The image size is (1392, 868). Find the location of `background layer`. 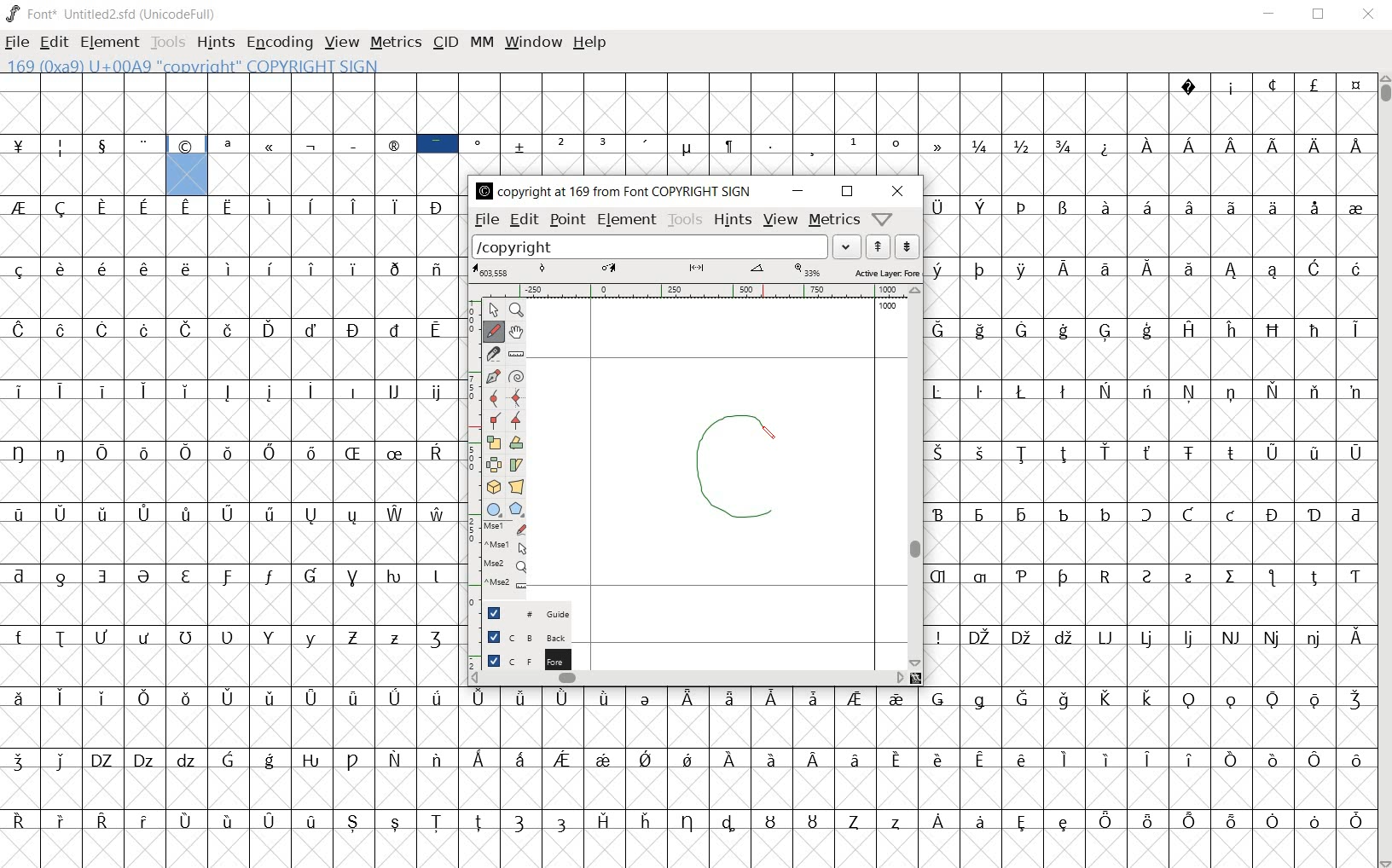

background layer is located at coordinates (519, 637).